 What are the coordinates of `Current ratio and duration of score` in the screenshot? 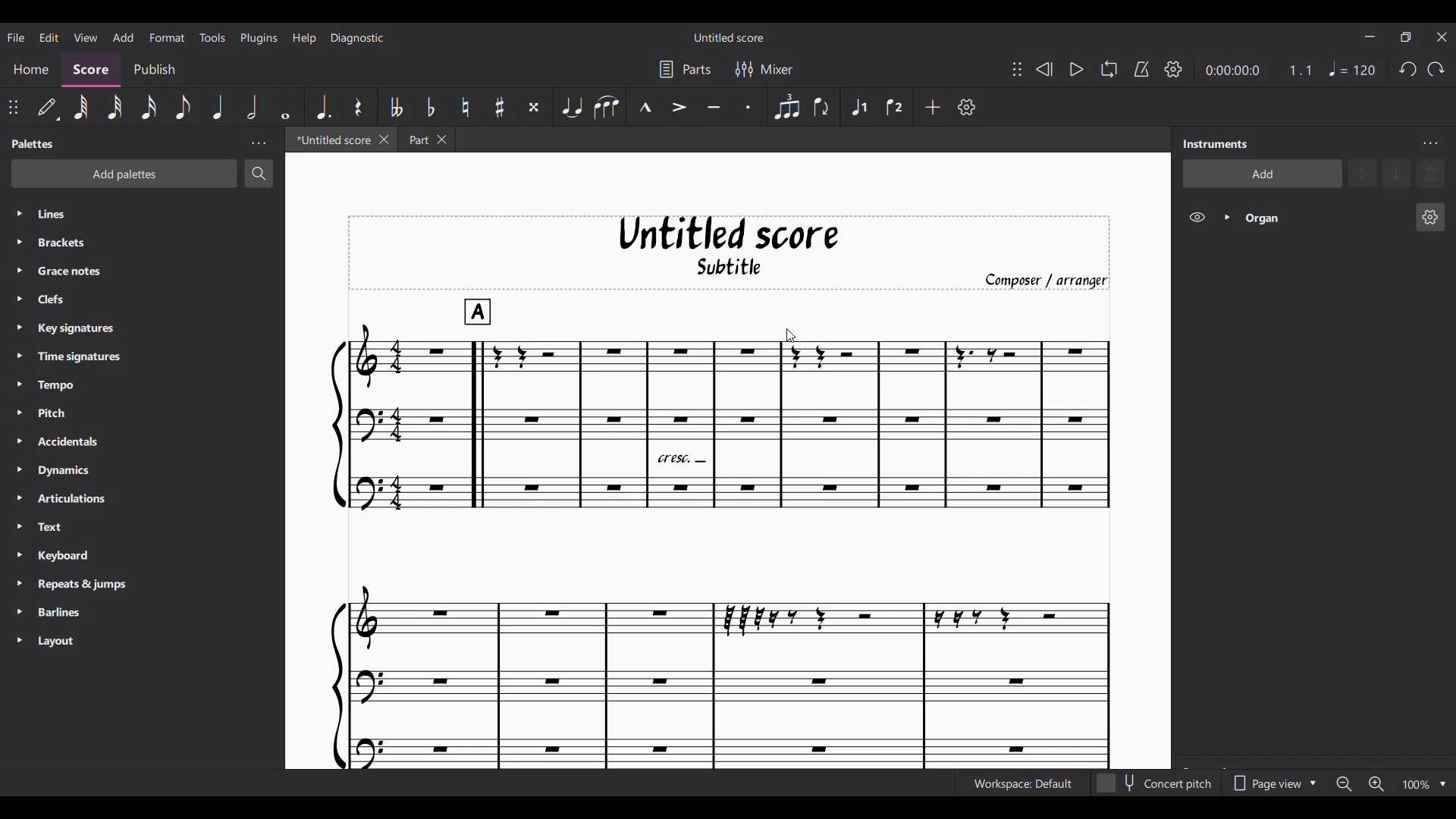 It's located at (1259, 71).